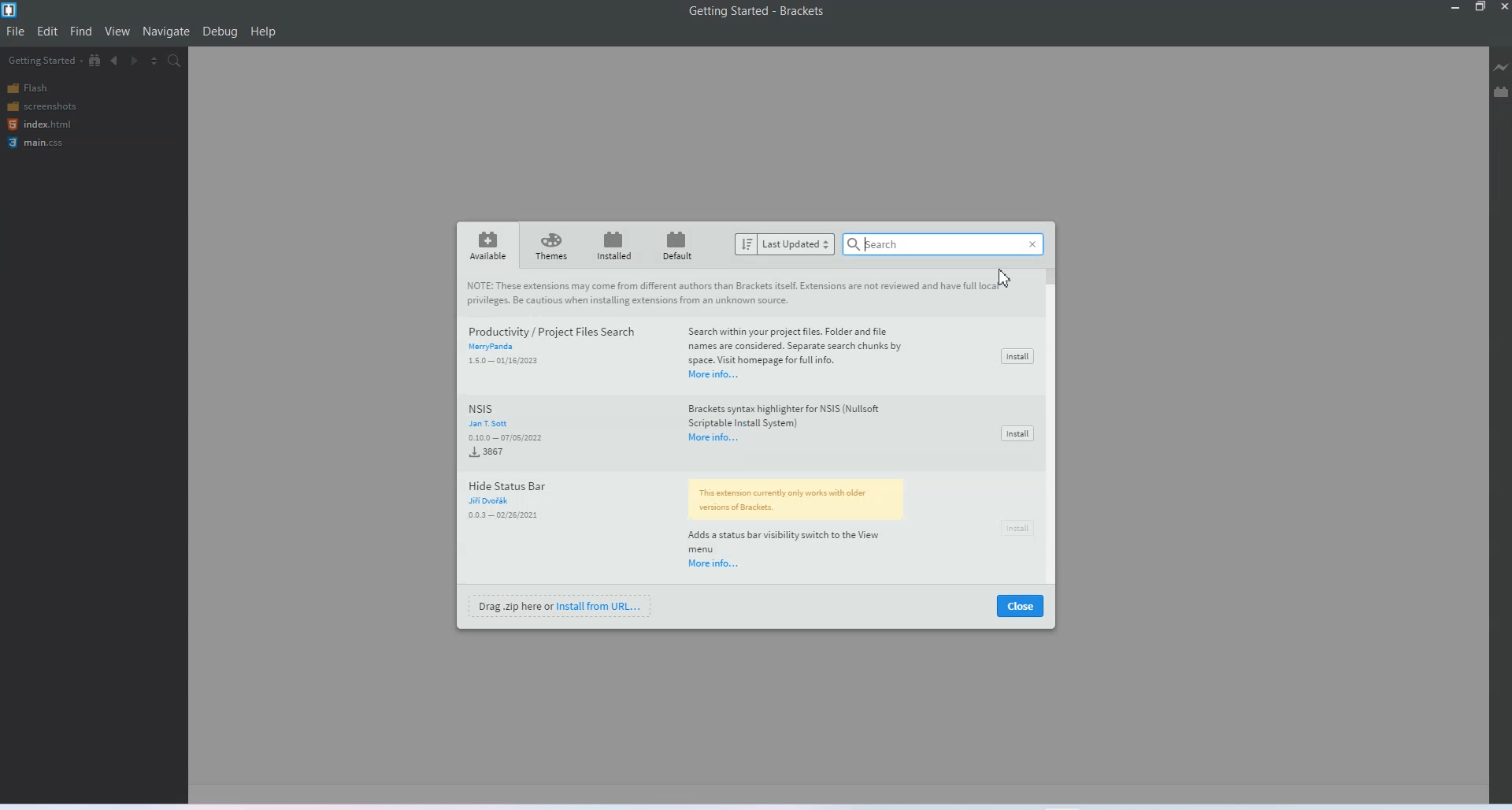  I want to click on Author, so click(502, 348).